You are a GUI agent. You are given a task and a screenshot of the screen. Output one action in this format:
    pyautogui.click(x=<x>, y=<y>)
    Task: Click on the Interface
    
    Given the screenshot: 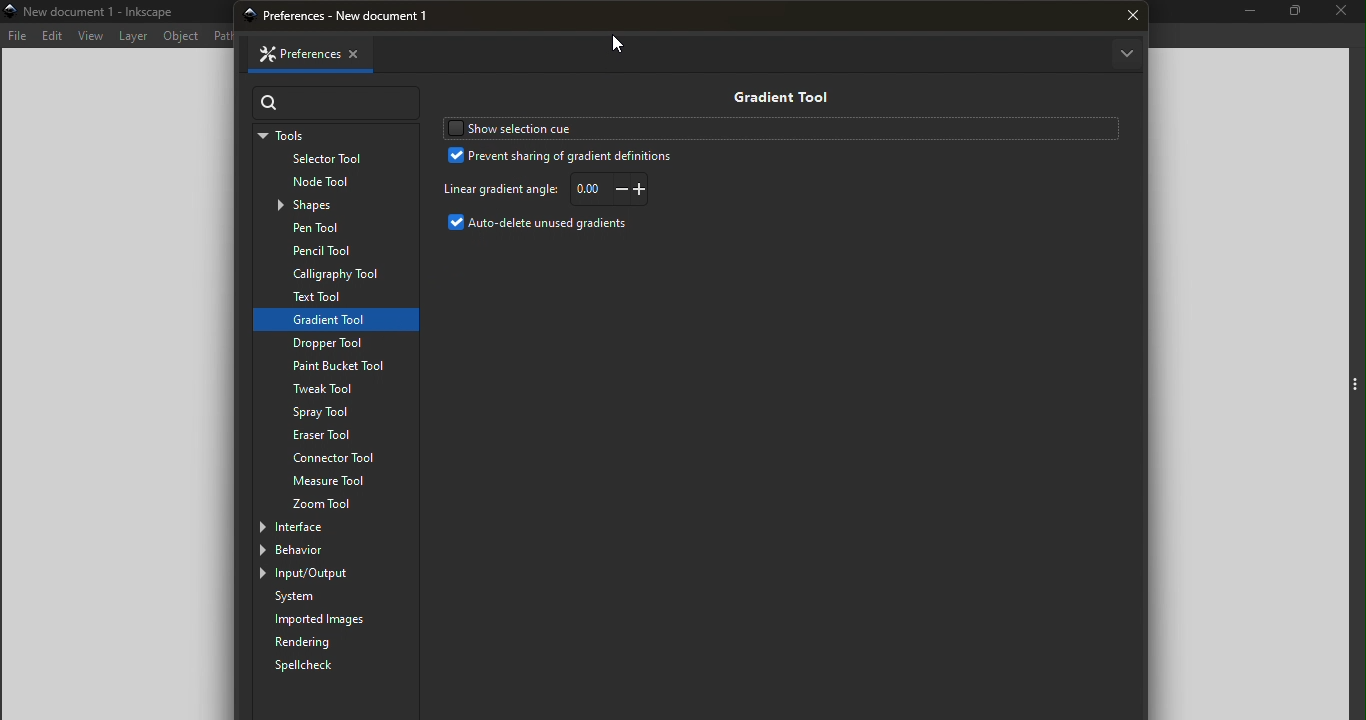 What is the action you would take?
    pyautogui.click(x=321, y=526)
    